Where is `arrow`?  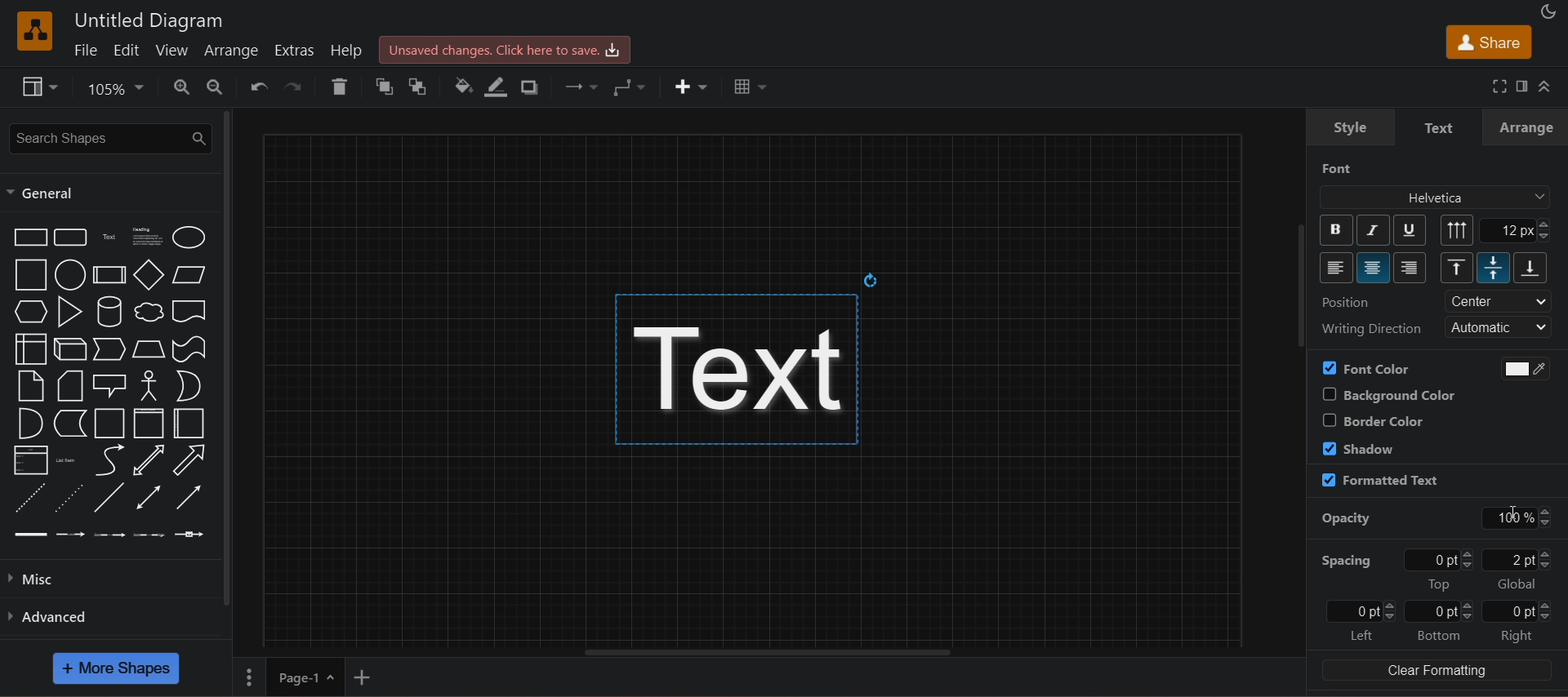 arrow is located at coordinates (191, 460).